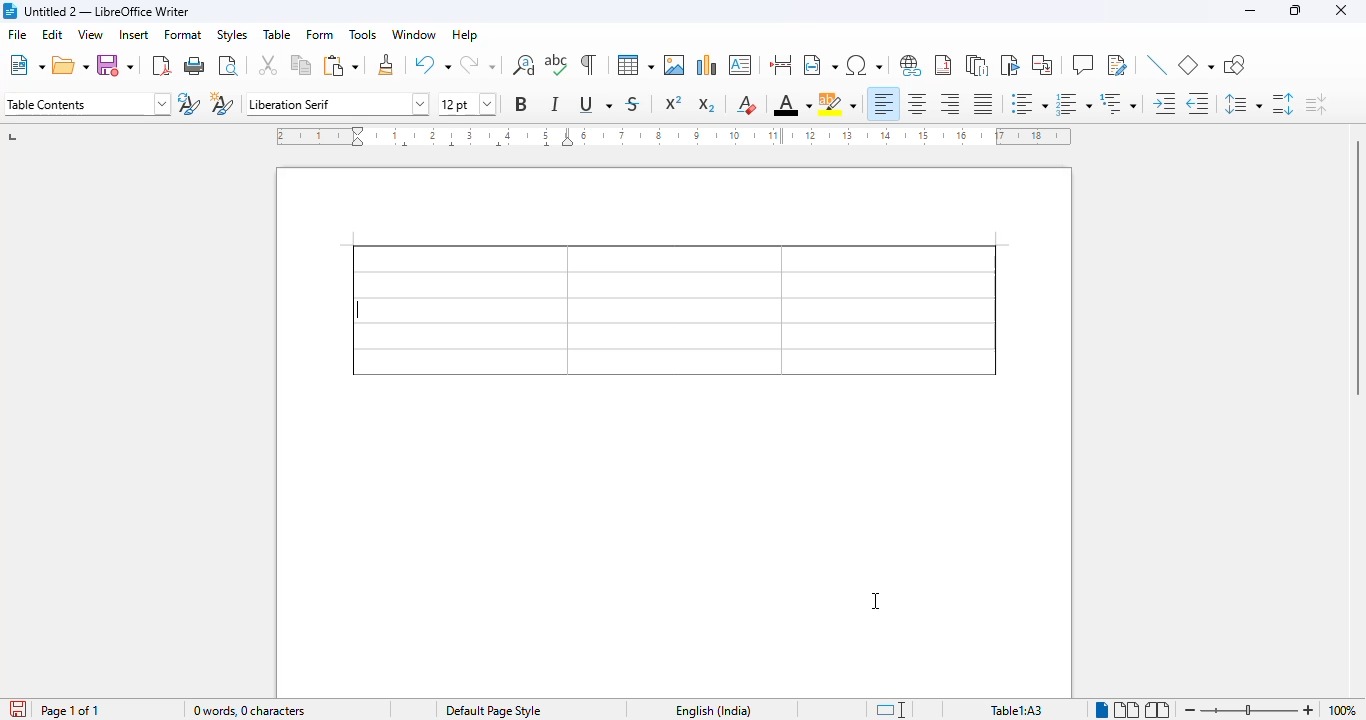  What do you see at coordinates (978, 64) in the screenshot?
I see `insert endnote` at bounding box center [978, 64].